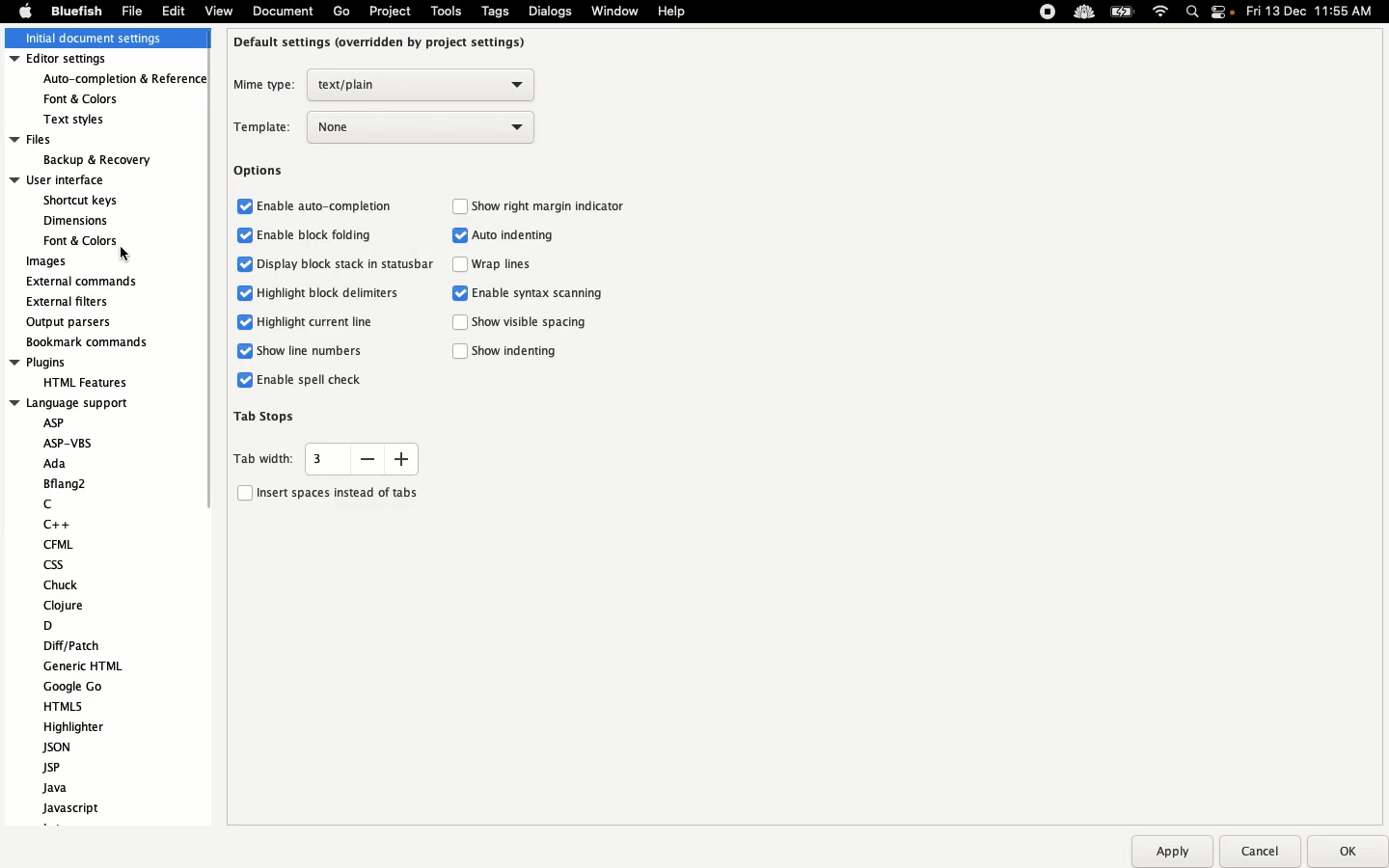 The width and height of the screenshot is (1389, 868). I want to click on shortcut keys, so click(82, 202).